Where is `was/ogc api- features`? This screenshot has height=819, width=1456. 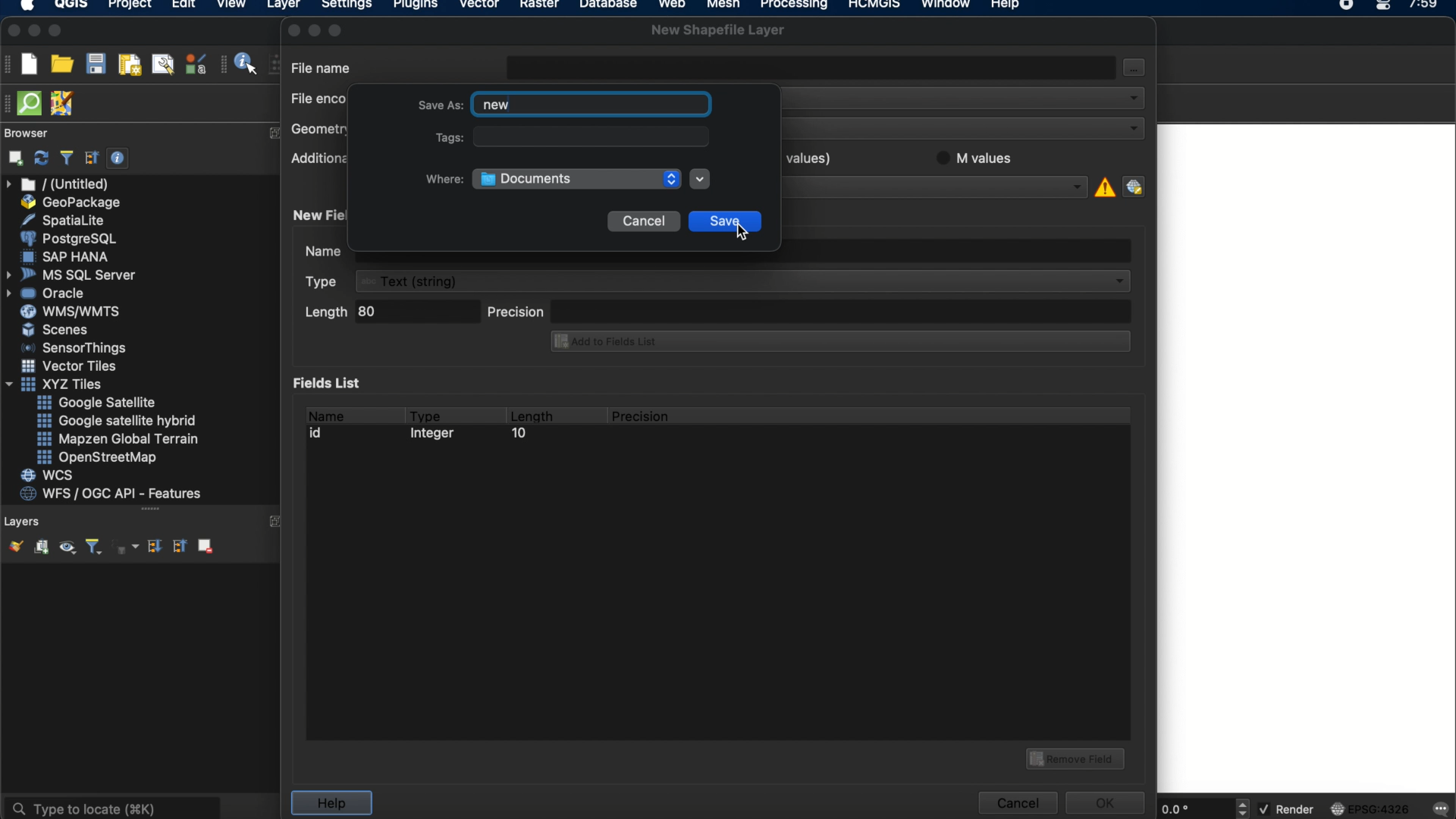
was/ogc api- features is located at coordinates (111, 494).